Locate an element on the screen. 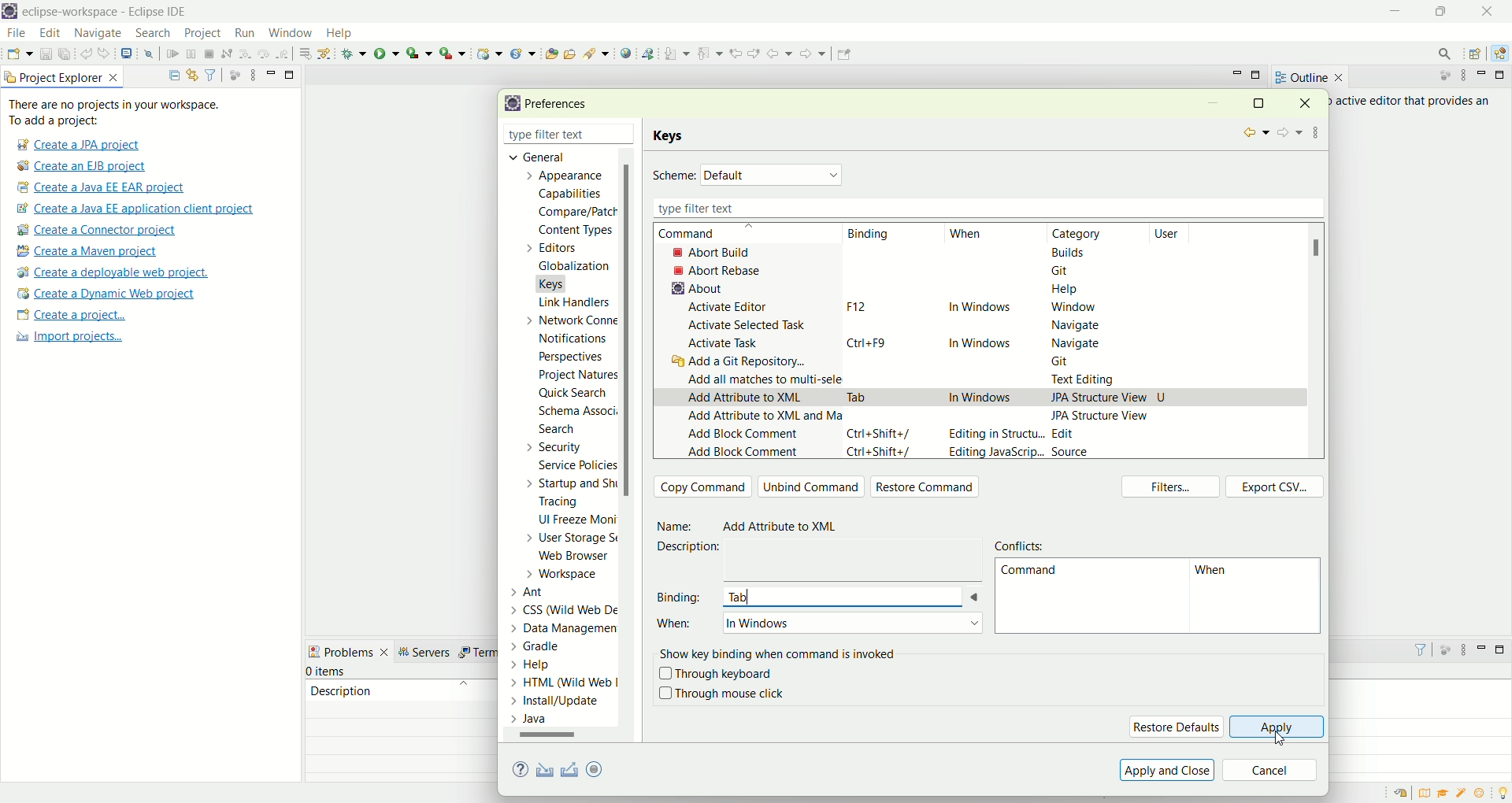 The height and width of the screenshot is (803, 1512). help is located at coordinates (346, 35).